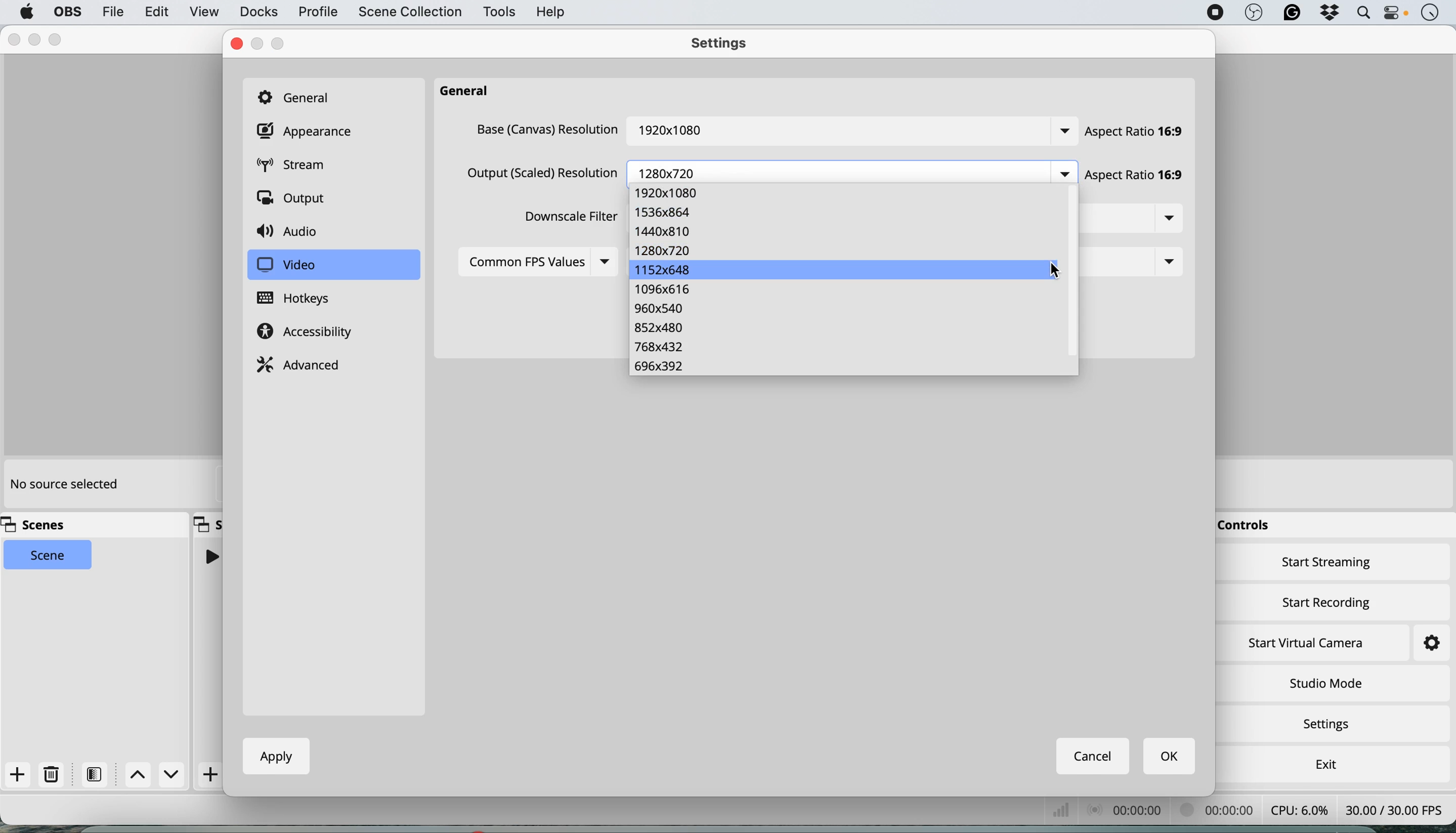  Describe the element at coordinates (670, 193) in the screenshot. I see `1290x1080` at that location.